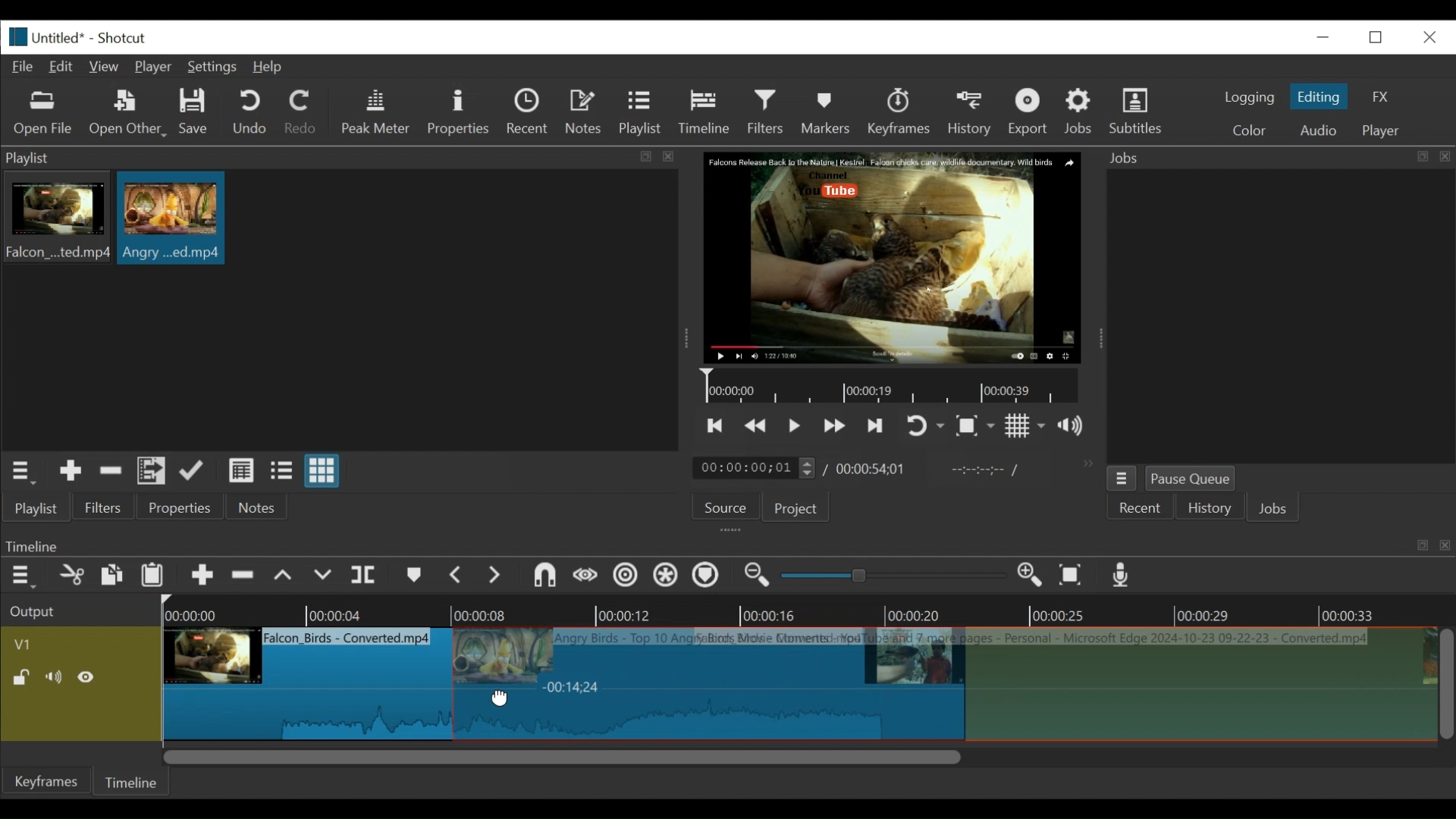 This screenshot has height=819, width=1456. What do you see at coordinates (283, 470) in the screenshot?
I see `view as files` at bounding box center [283, 470].